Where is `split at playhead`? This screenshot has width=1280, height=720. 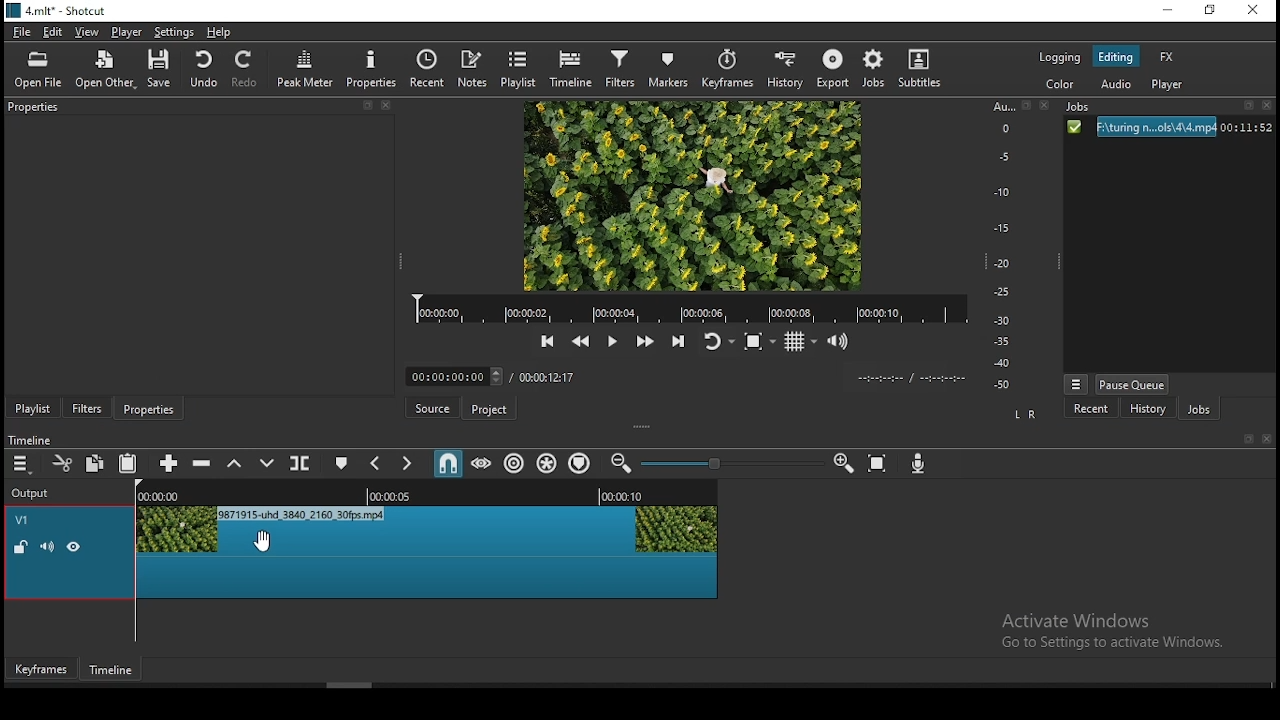 split at playhead is located at coordinates (297, 464).